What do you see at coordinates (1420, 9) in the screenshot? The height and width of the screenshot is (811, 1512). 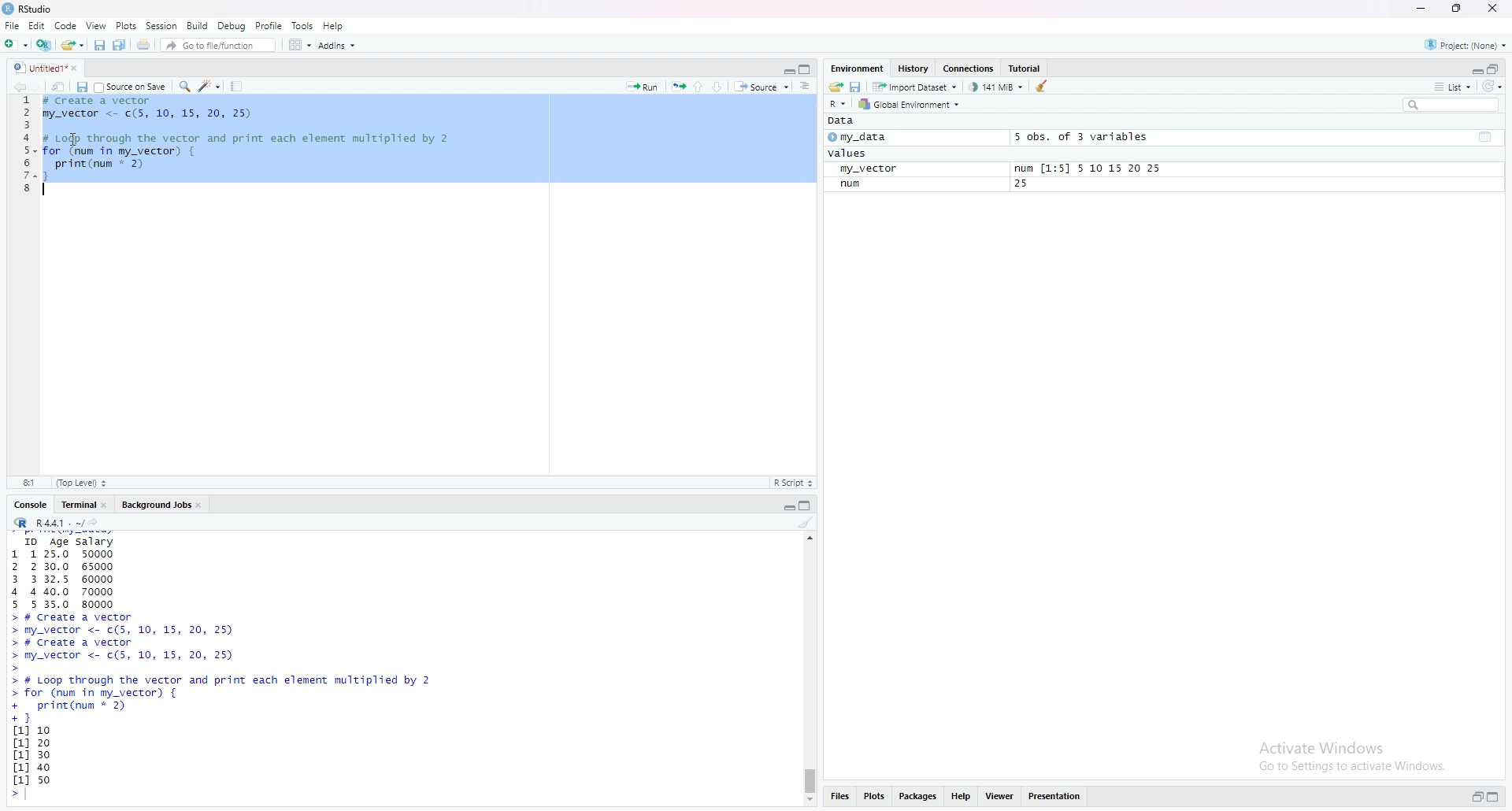 I see `minimize` at bounding box center [1420, 9].